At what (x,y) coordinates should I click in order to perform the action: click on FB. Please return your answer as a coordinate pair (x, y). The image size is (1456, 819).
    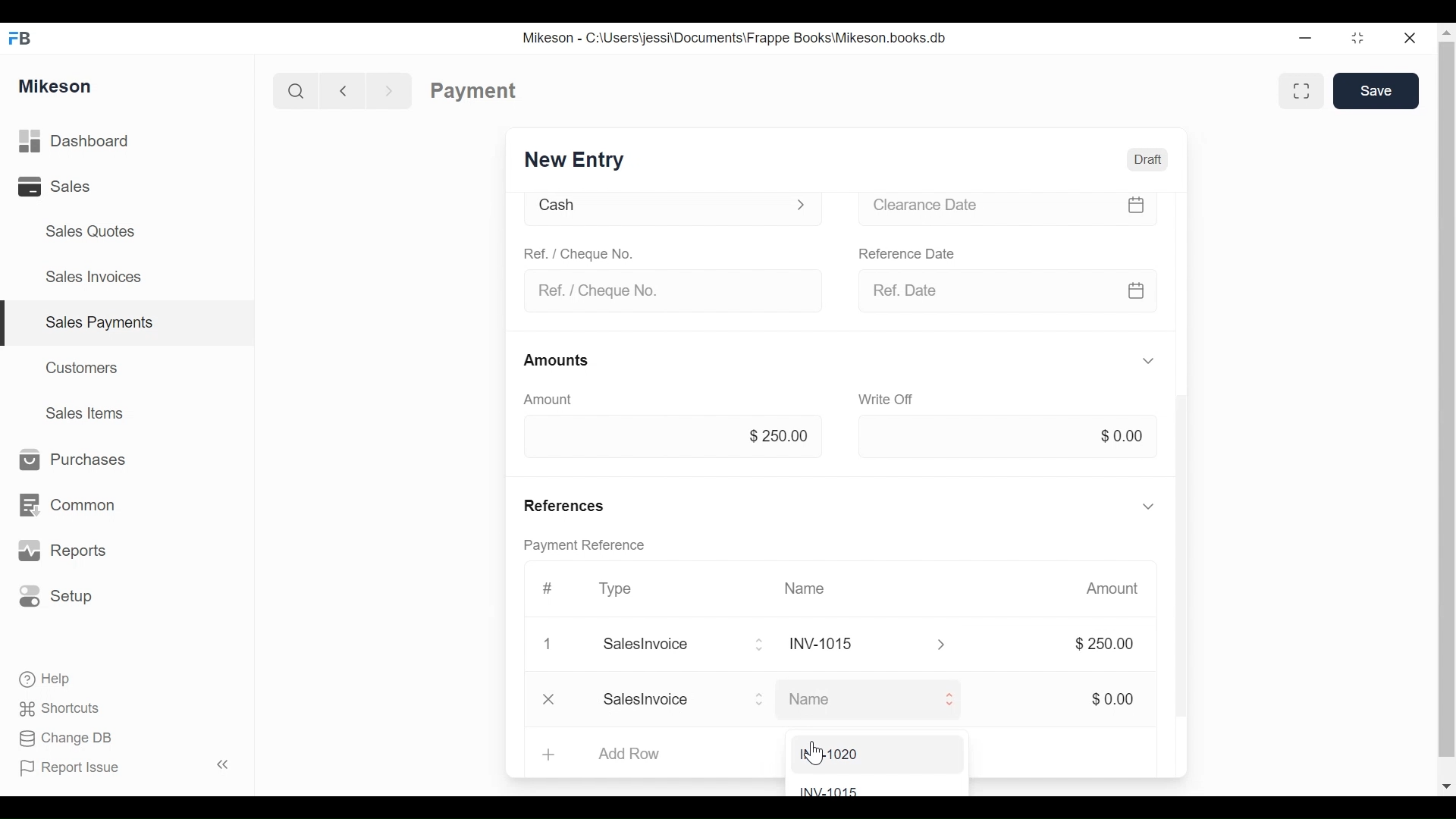
    Looking at the image, I should click on (24, 36).